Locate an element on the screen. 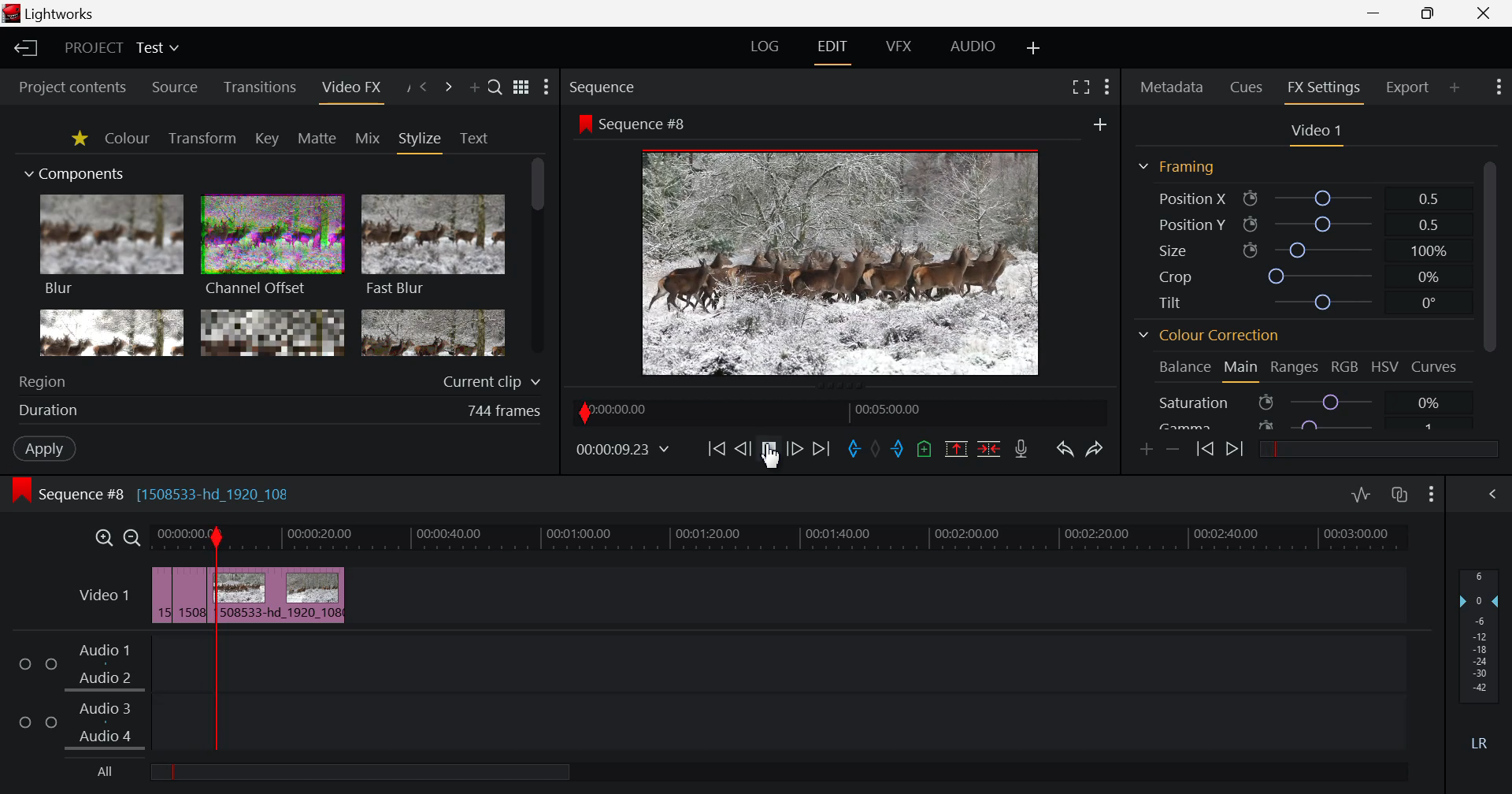  Sequence #8 is located at coordinates (634, 123).